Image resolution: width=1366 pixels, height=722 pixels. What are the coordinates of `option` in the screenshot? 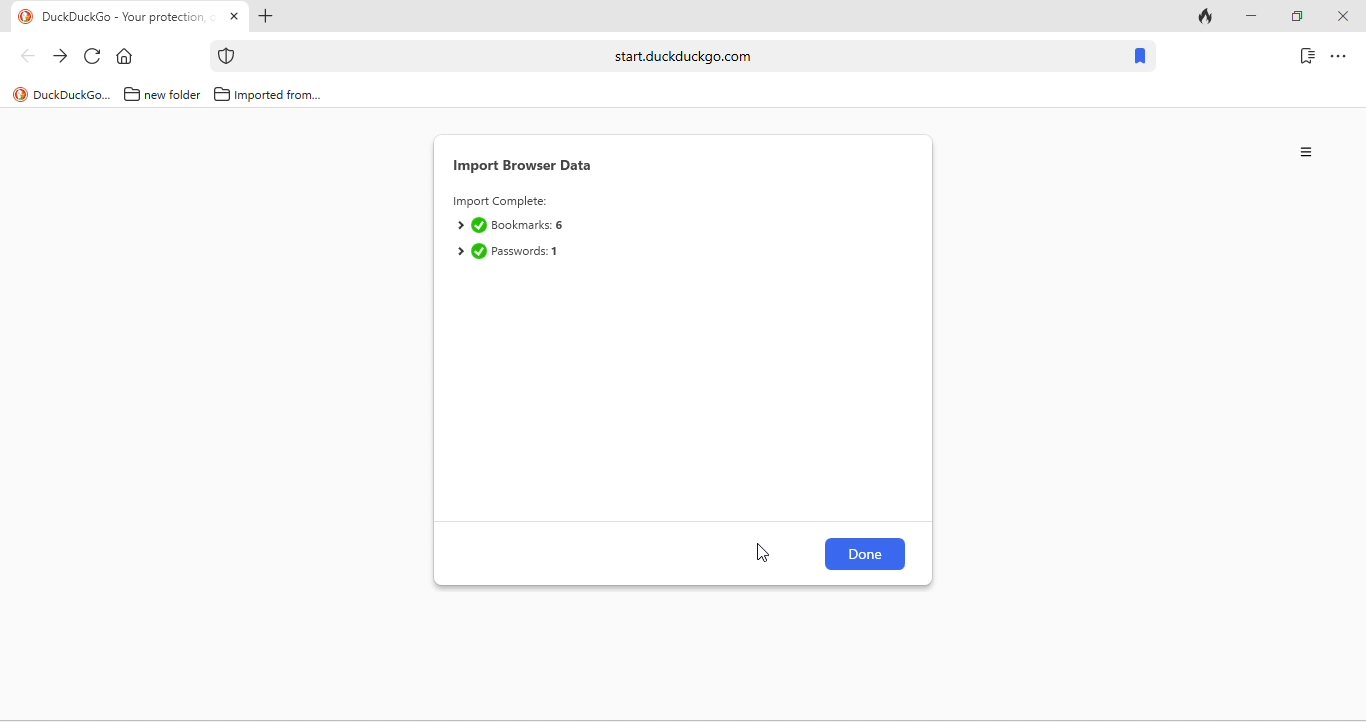 It's located at (1339, 55).